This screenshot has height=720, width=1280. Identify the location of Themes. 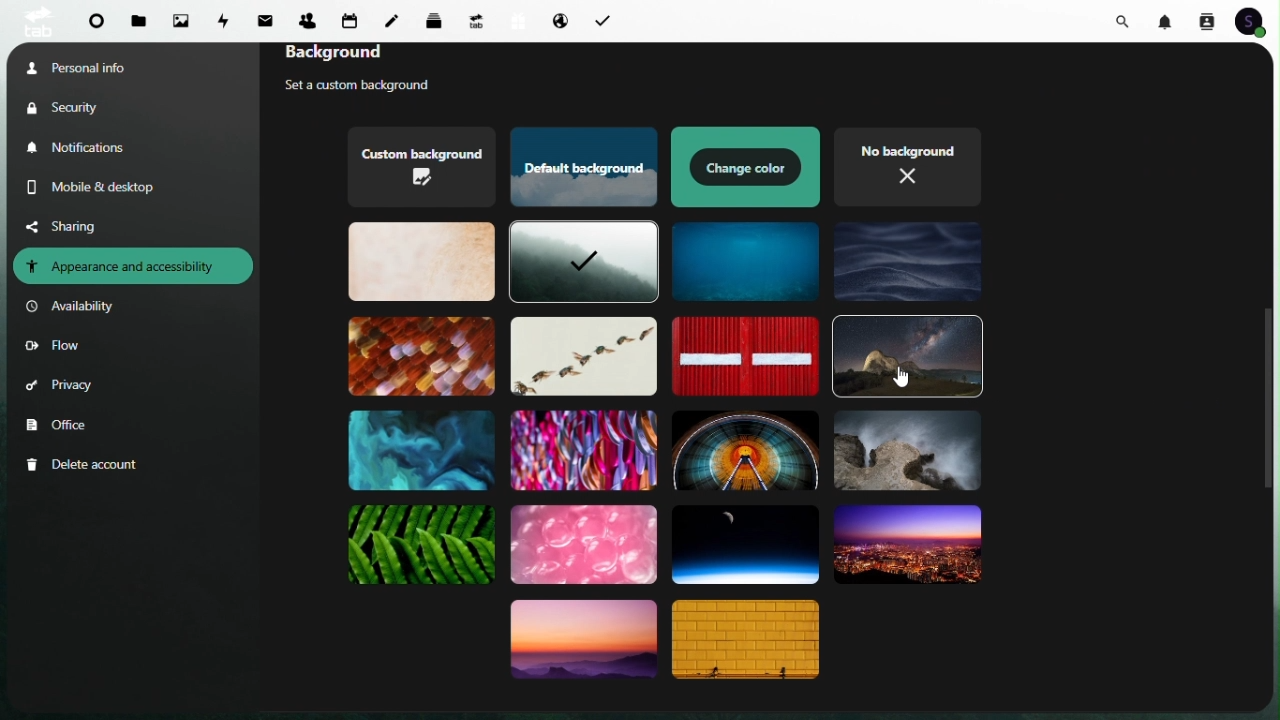
(906, 453).